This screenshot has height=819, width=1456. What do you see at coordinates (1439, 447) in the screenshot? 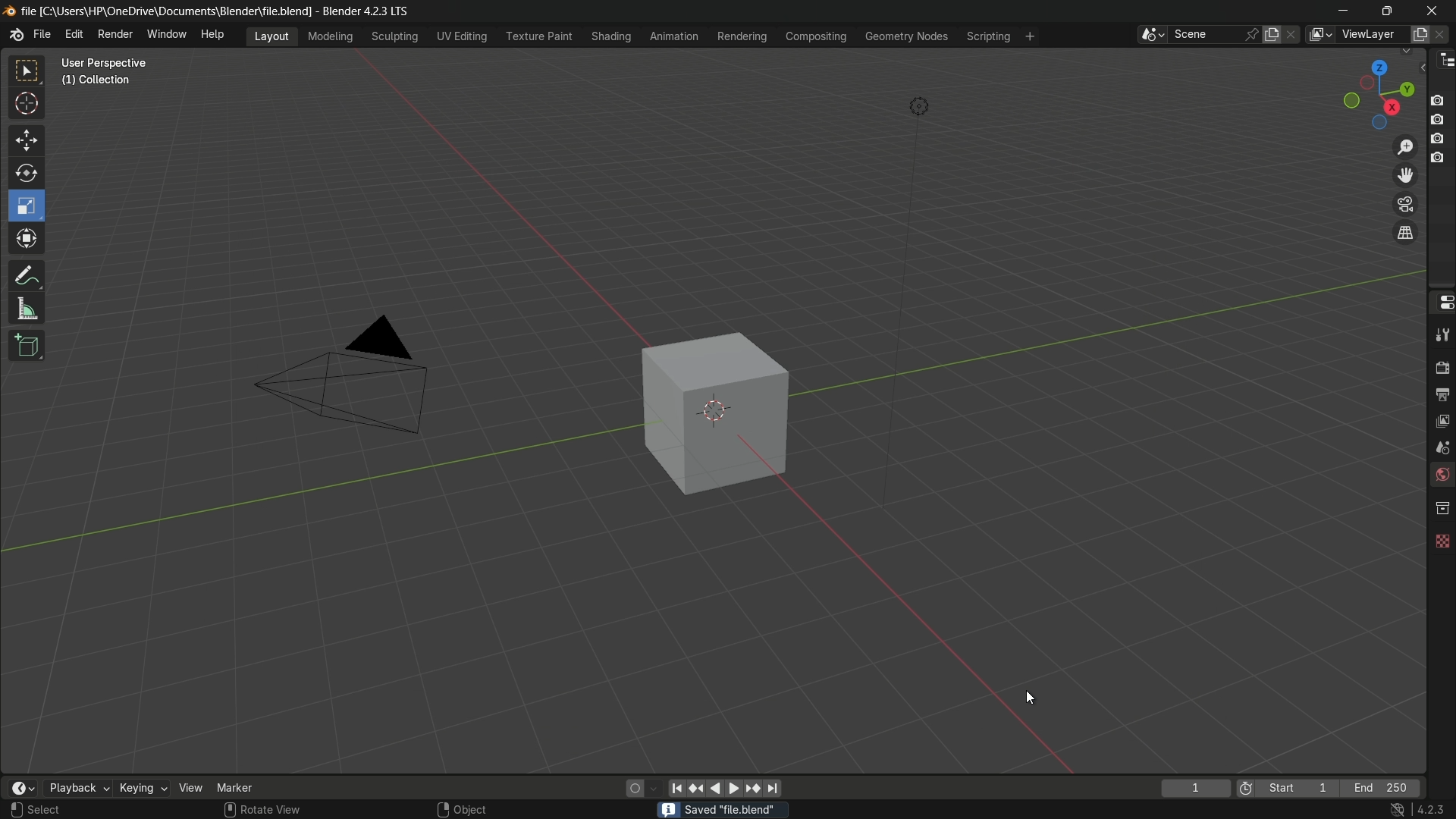
I see `scene` at bounding box center [1439, 447].